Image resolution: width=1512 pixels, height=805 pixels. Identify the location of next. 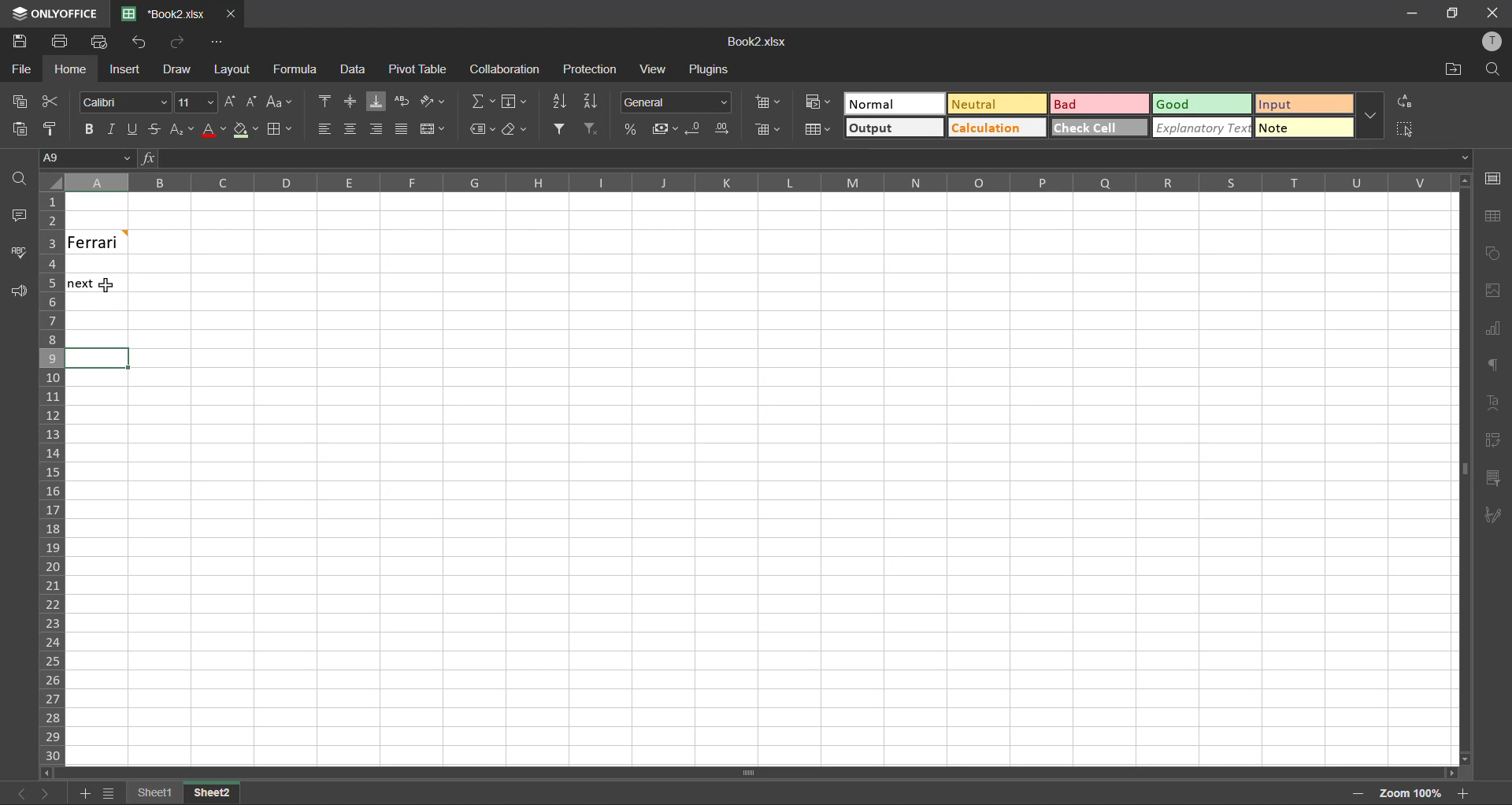
(43, 793).